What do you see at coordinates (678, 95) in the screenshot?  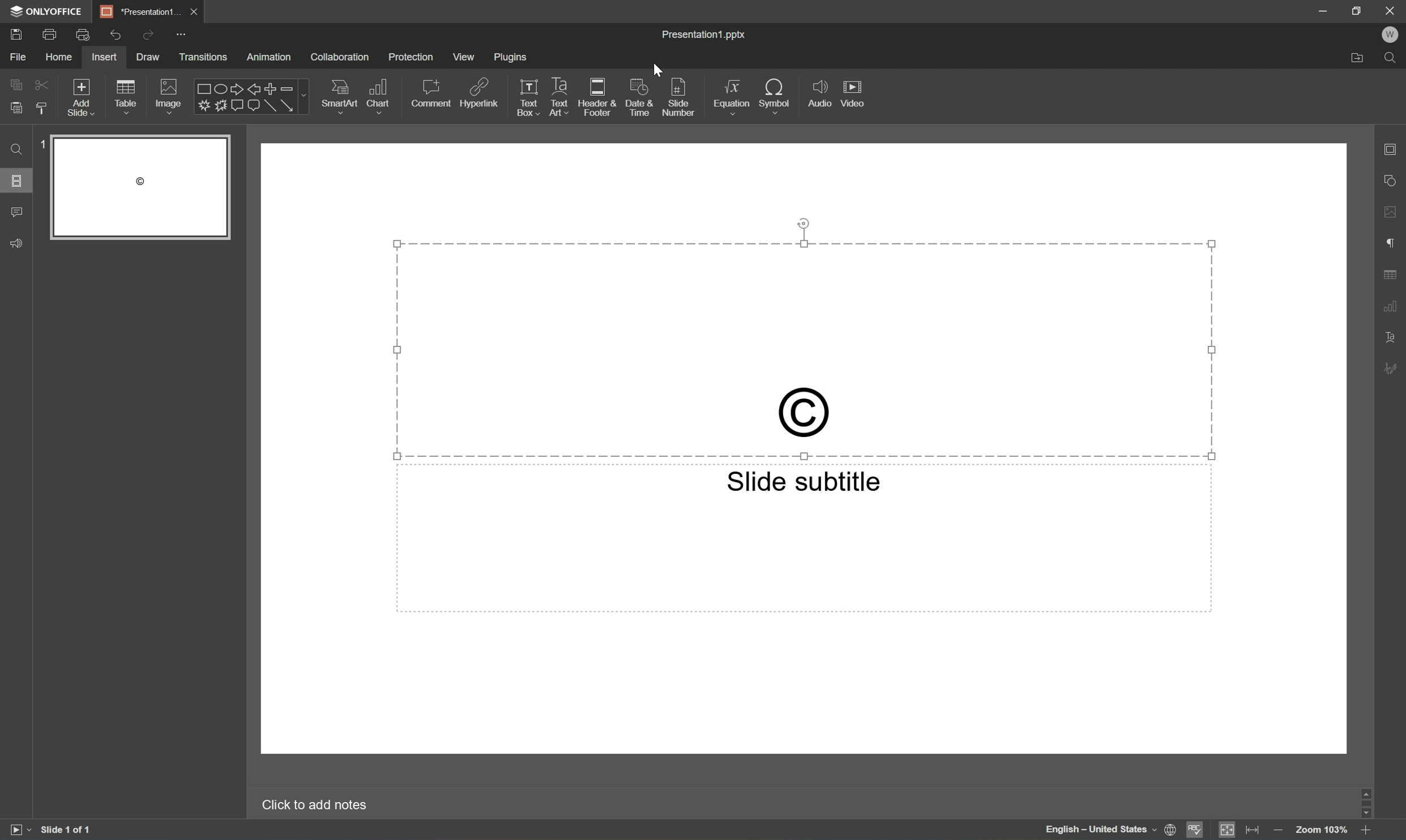 I see `Slide number` at bounding box center [678, 95].